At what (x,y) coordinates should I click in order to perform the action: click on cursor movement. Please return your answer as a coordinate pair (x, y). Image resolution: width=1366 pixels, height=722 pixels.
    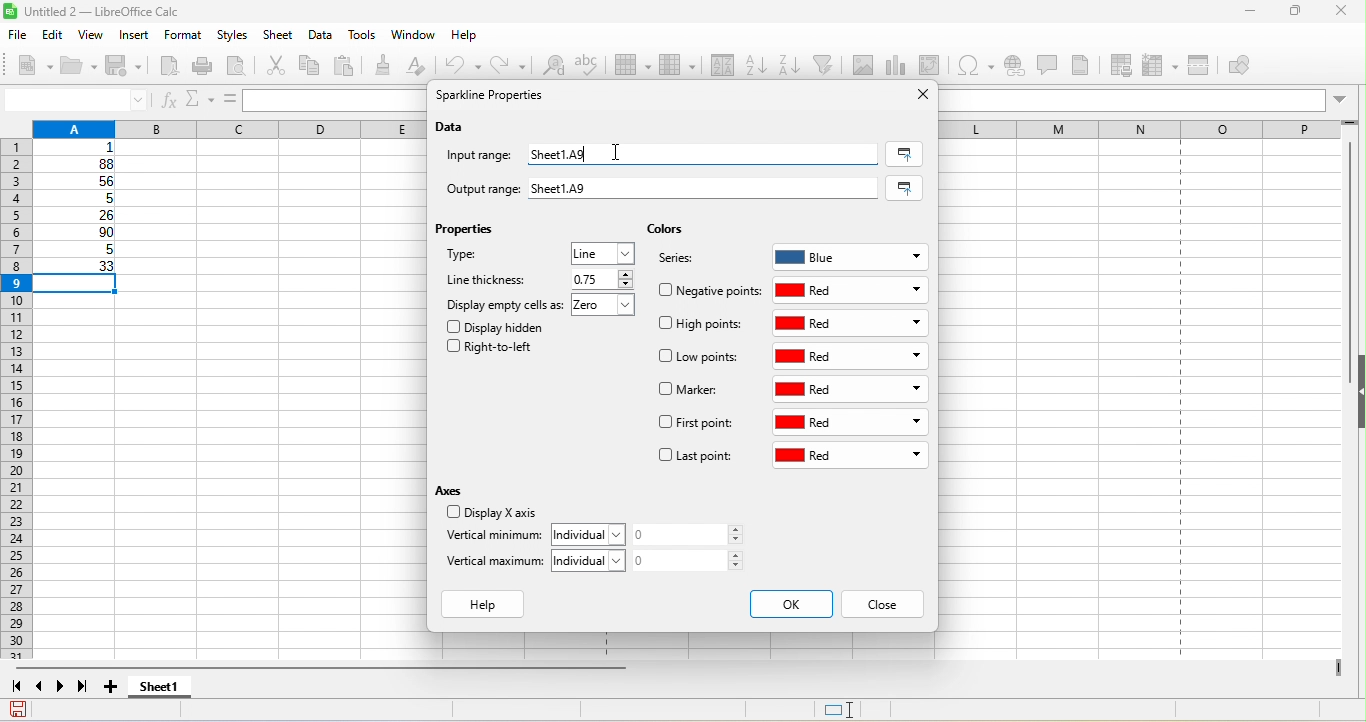
    Looking at the image, I should click on (619, 150).